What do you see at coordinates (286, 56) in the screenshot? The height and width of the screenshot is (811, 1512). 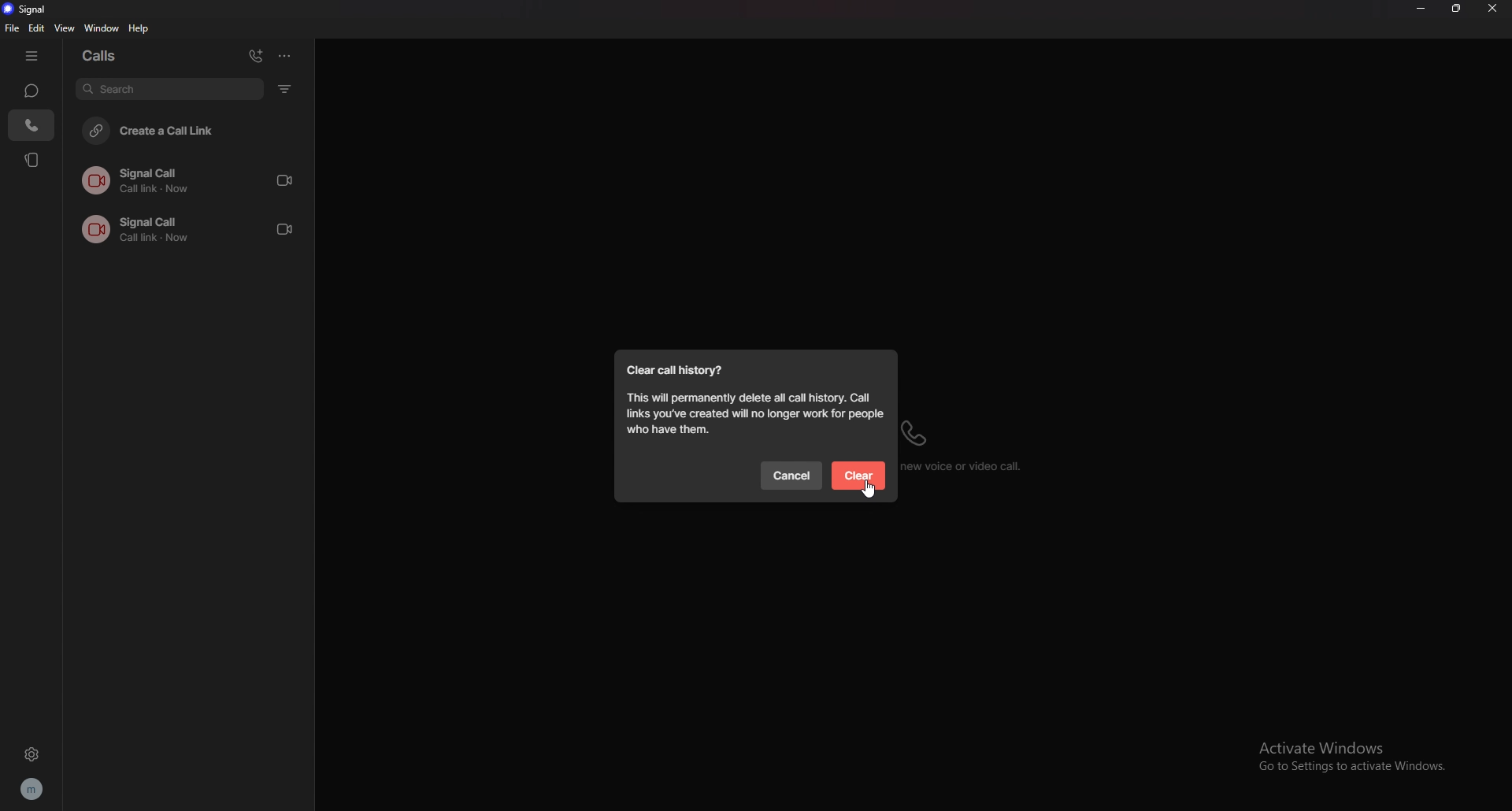 I see `options` at bounding box center [286, 56].